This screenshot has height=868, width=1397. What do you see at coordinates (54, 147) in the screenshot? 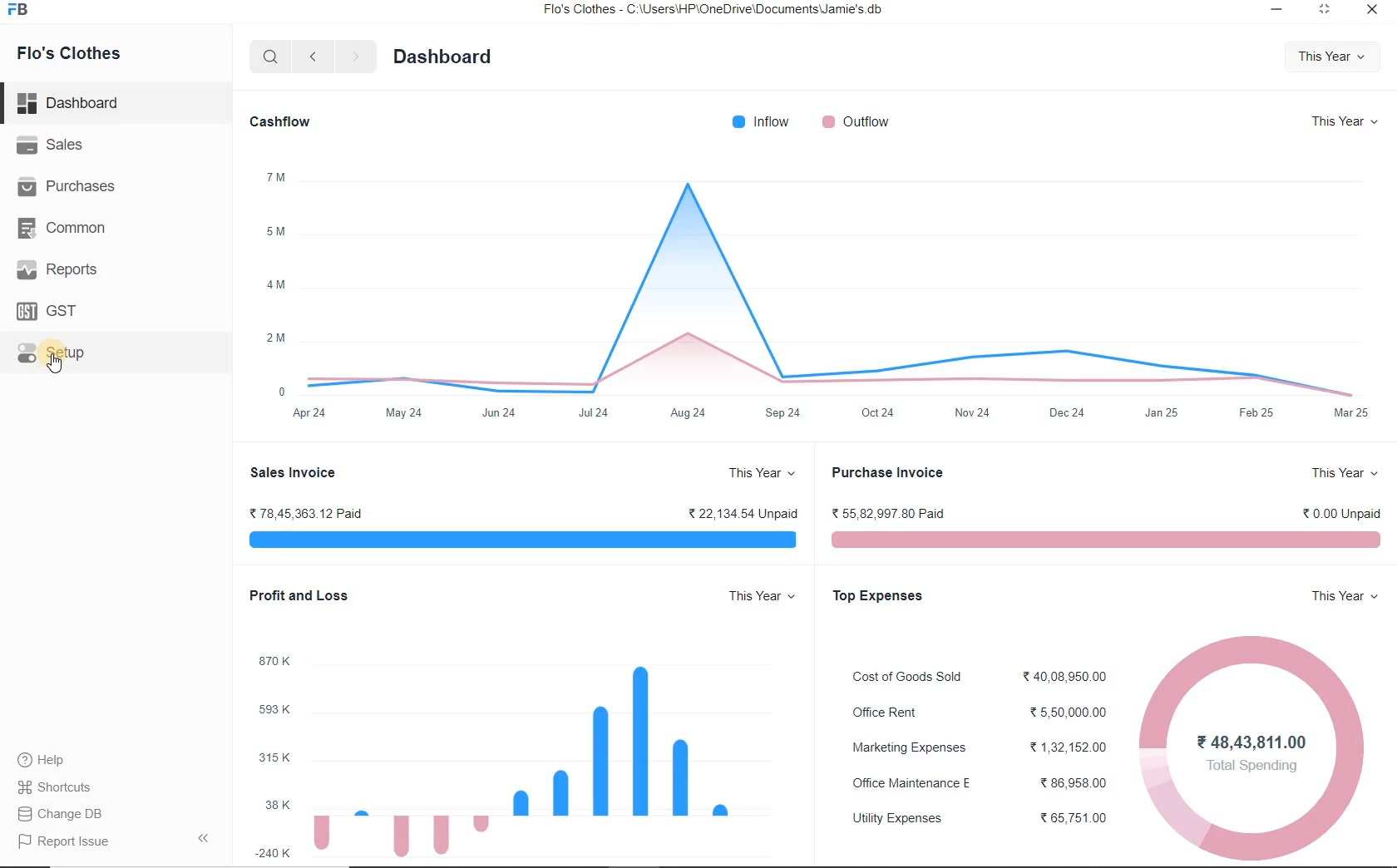
I see `Sales` at bounding box center [54, 147].